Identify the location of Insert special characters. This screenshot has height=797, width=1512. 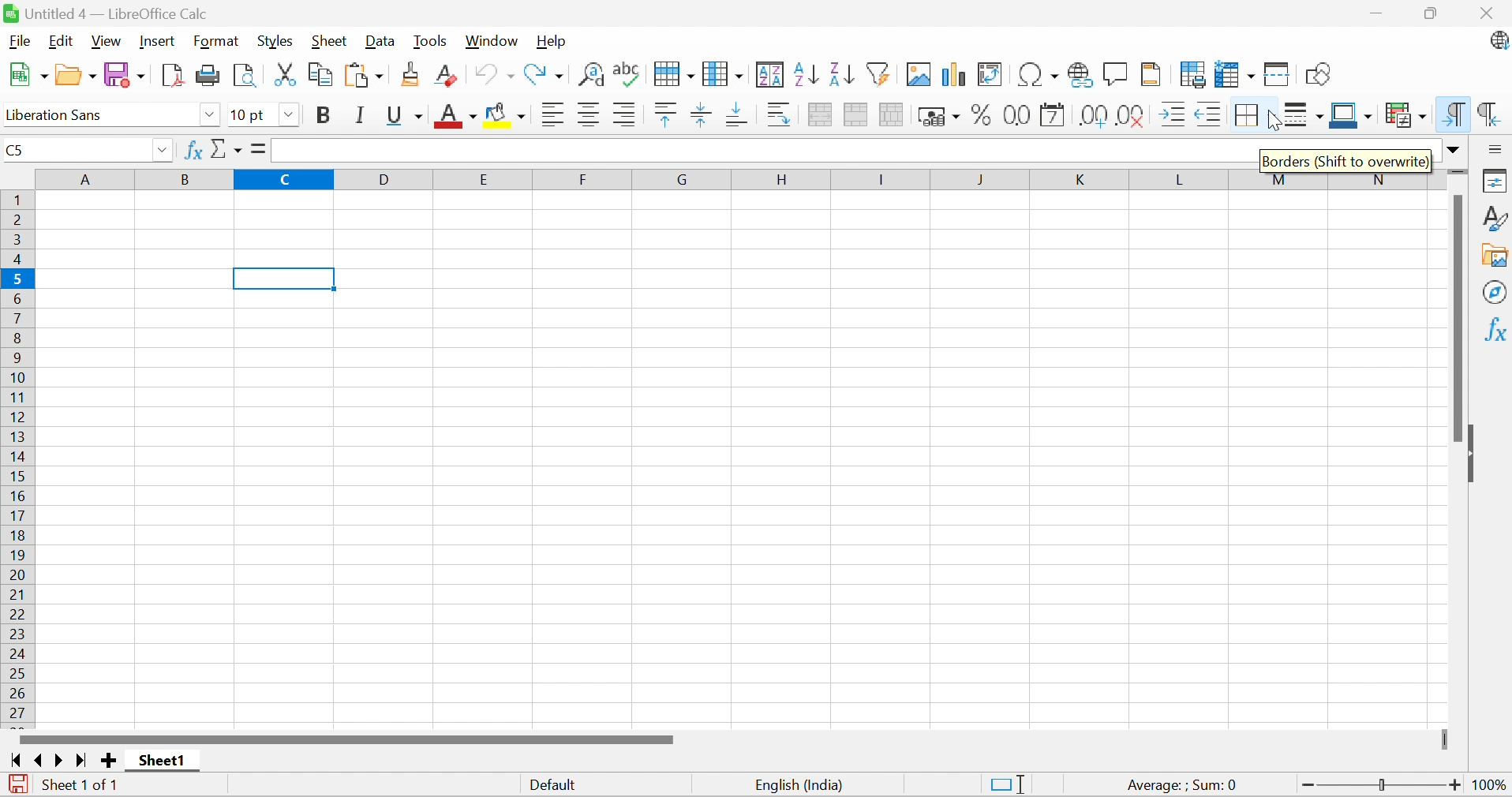
(1039, 74).